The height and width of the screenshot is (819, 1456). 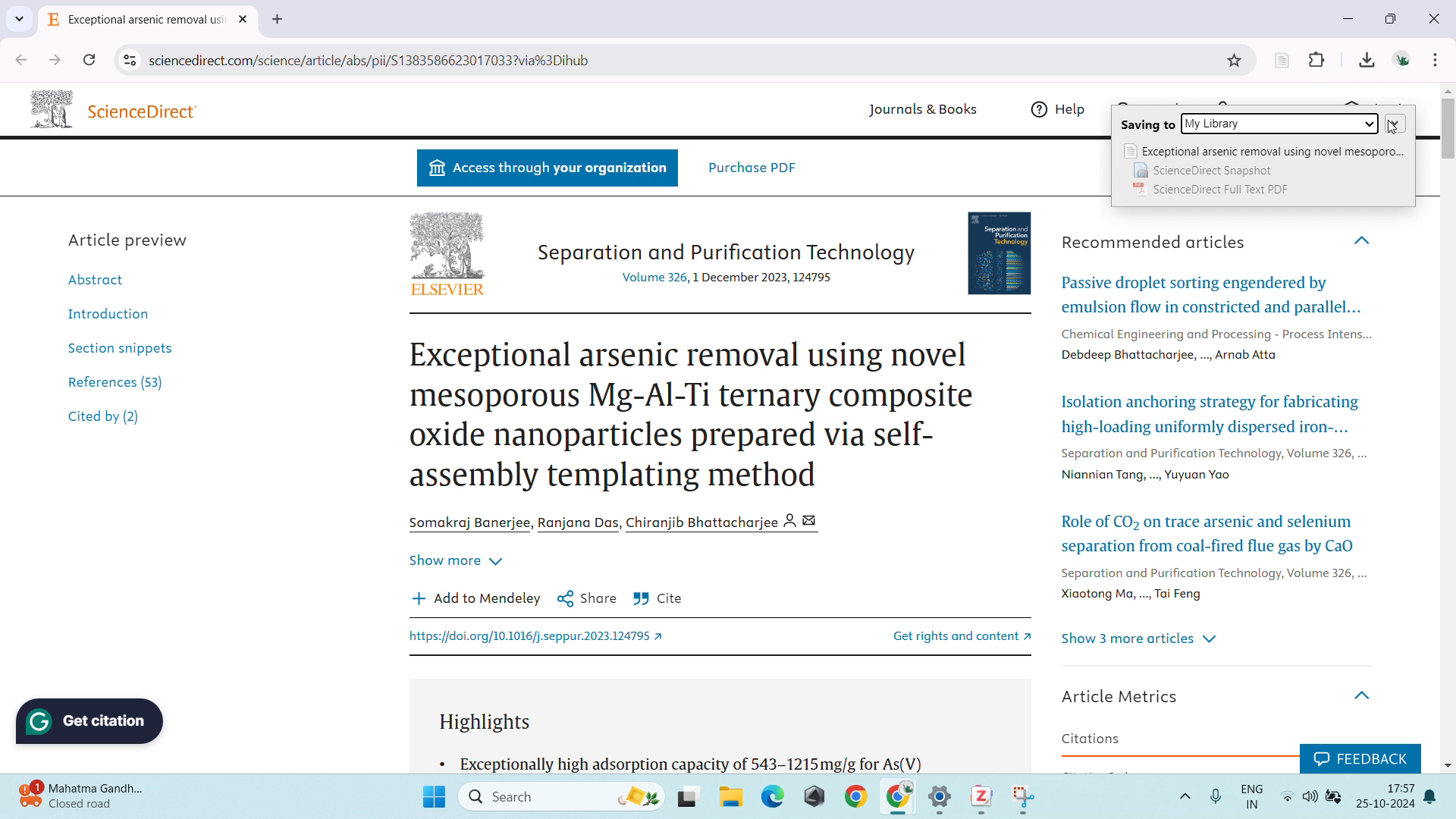 I want to click on expand for the menu, so click(x=1398, y=121).